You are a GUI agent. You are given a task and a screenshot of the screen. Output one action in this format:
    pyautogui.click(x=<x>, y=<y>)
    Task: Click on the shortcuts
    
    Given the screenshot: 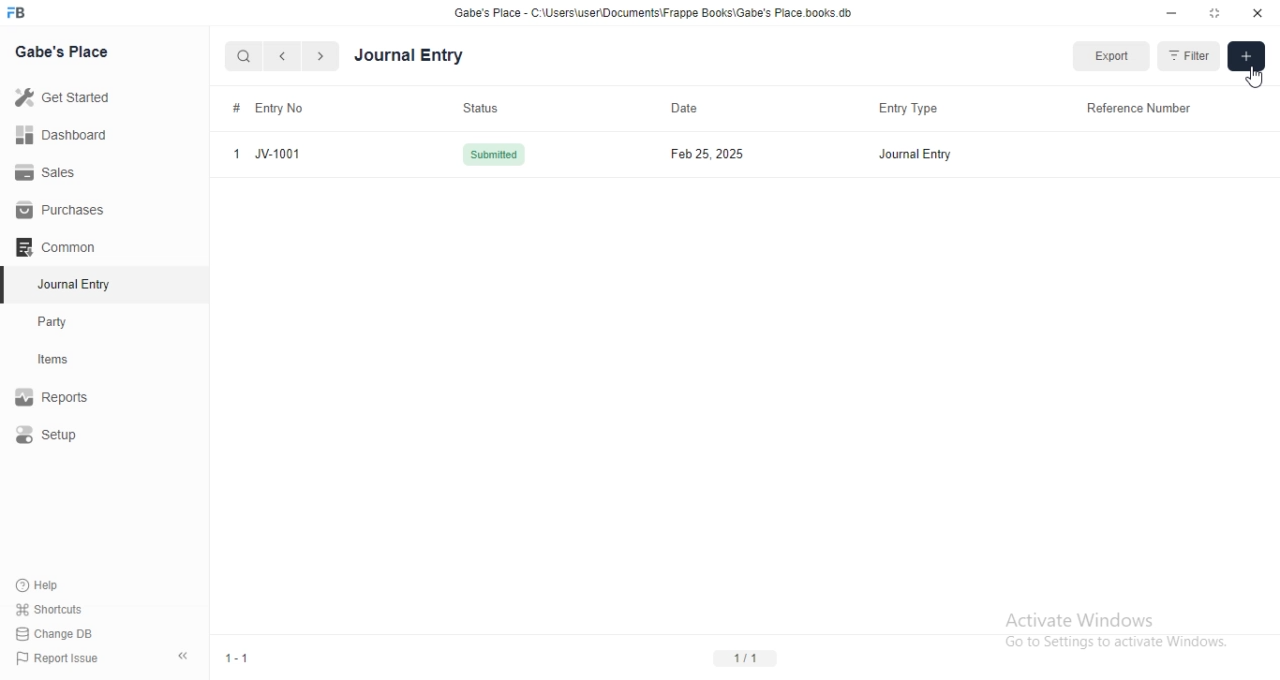 What is the action you would take?
    pyautogui.click(x=62, y=608)
    